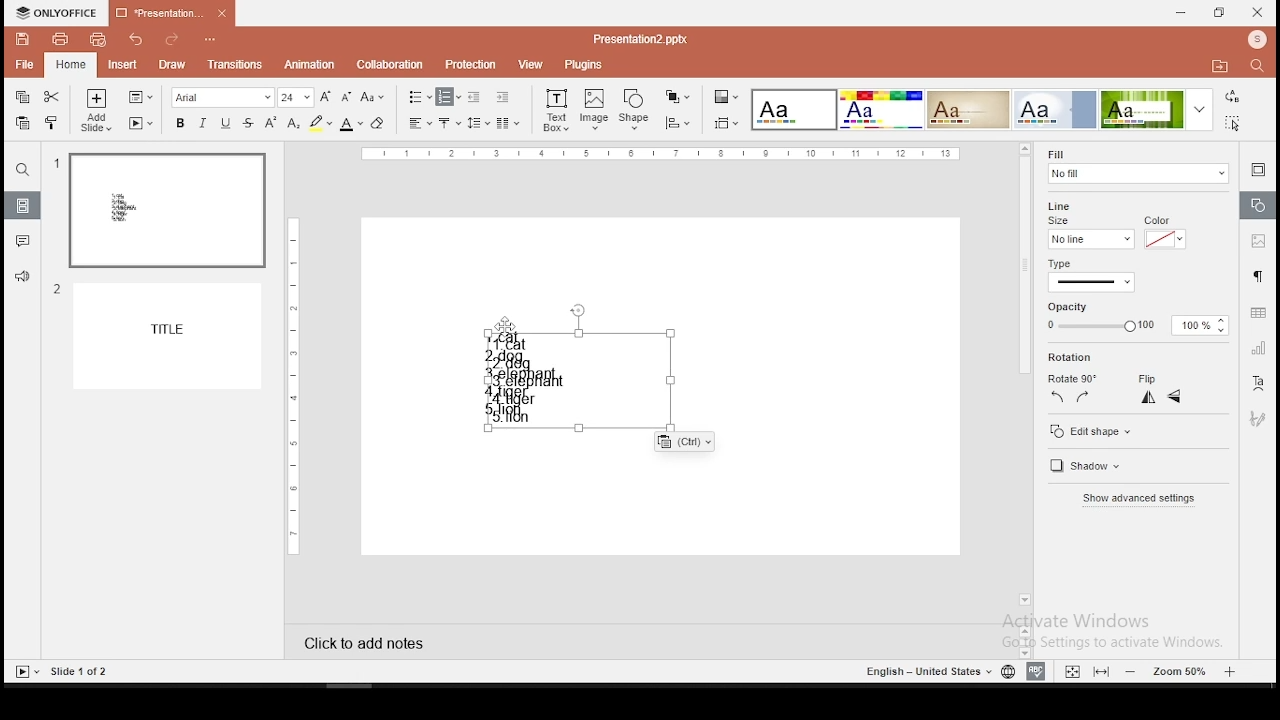 This screenshot has height=720, width=1280. Describe the element at coordinates (1257, 278) in the screenshot. I see `paragraph settings` at that location.